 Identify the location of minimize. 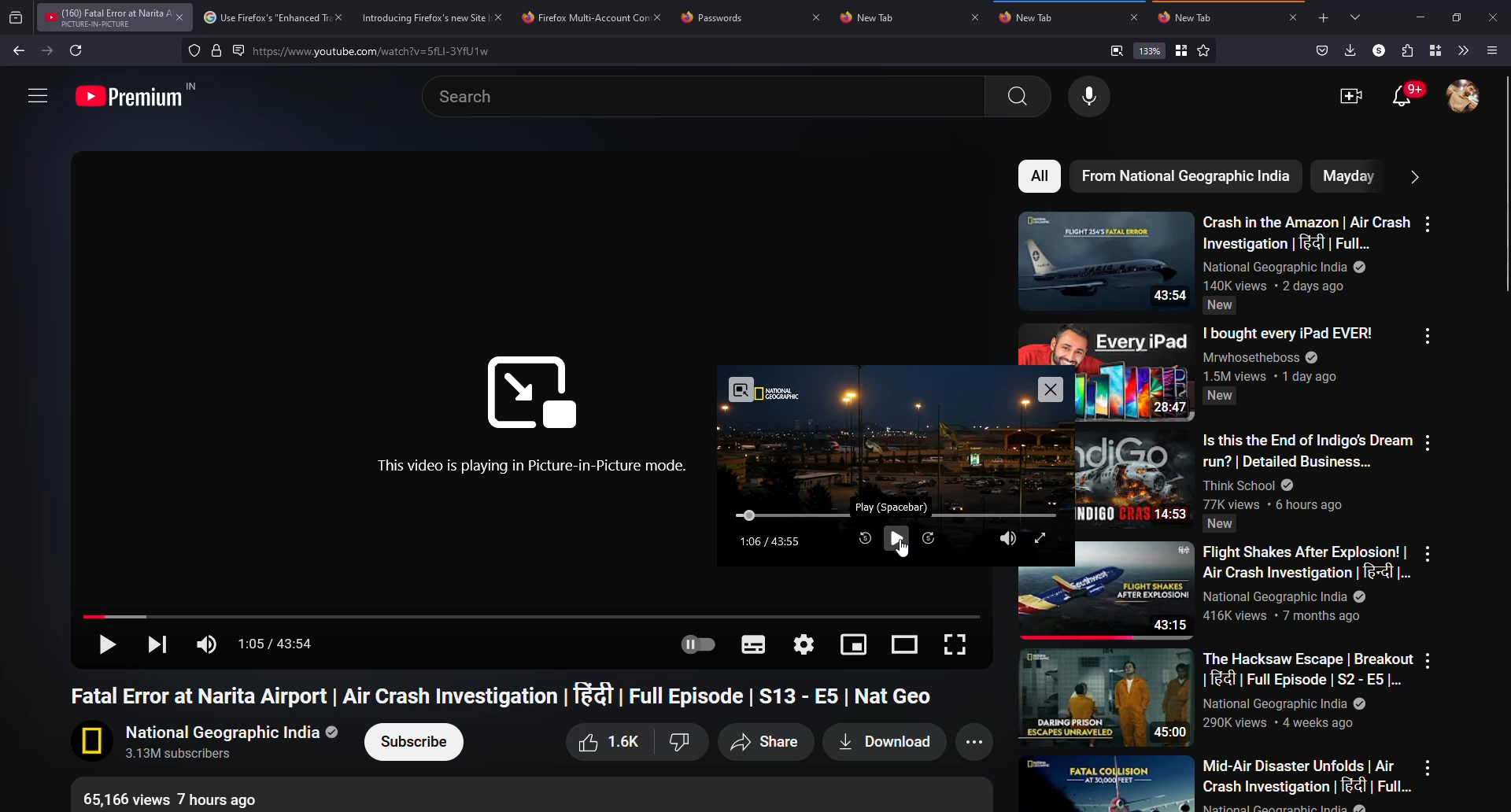
(1420, 17).